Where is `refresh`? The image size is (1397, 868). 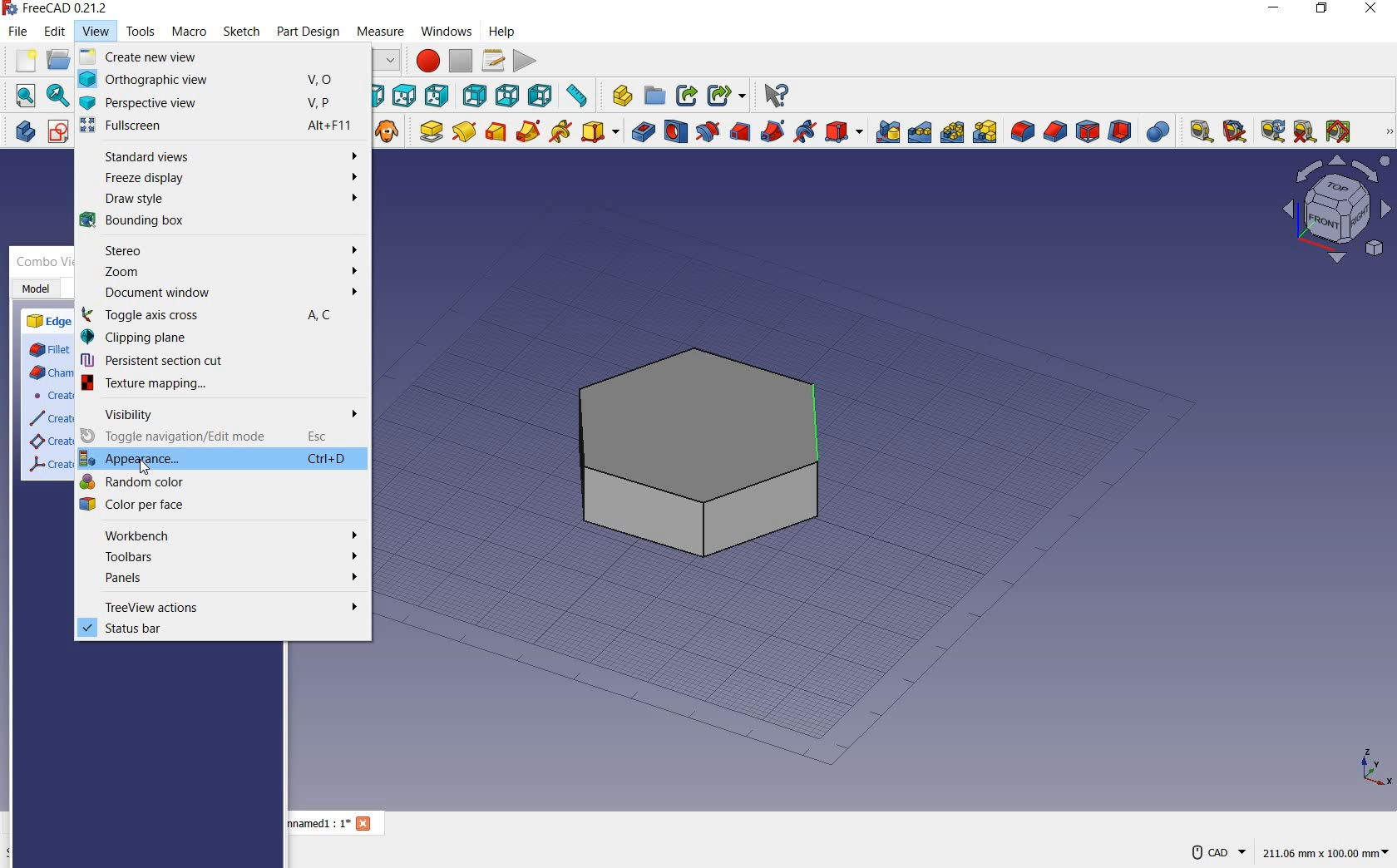
refresh is located at coordinates (1272, 131).